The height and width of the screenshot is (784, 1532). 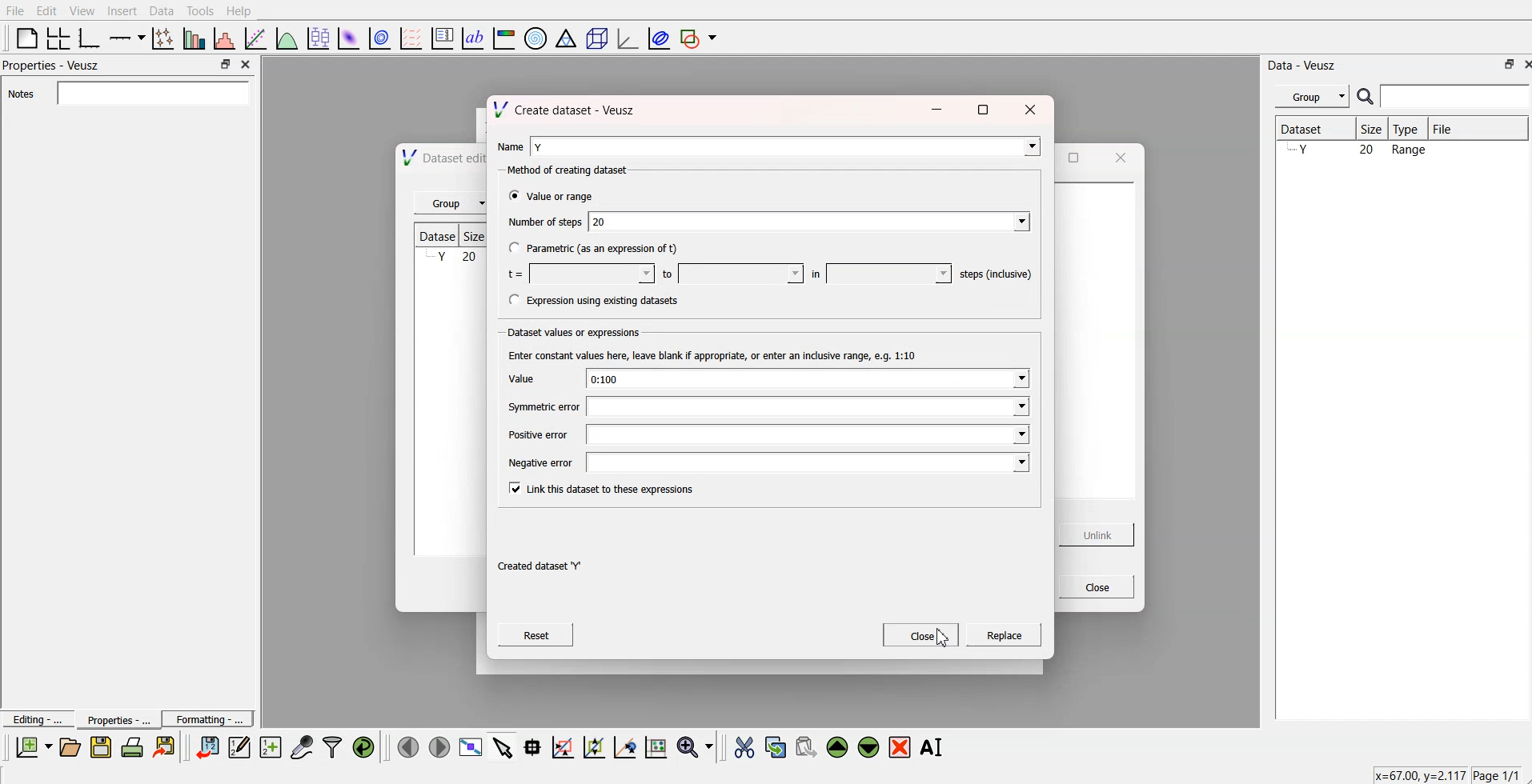 I want to click on name, so click(x=507, y=144).